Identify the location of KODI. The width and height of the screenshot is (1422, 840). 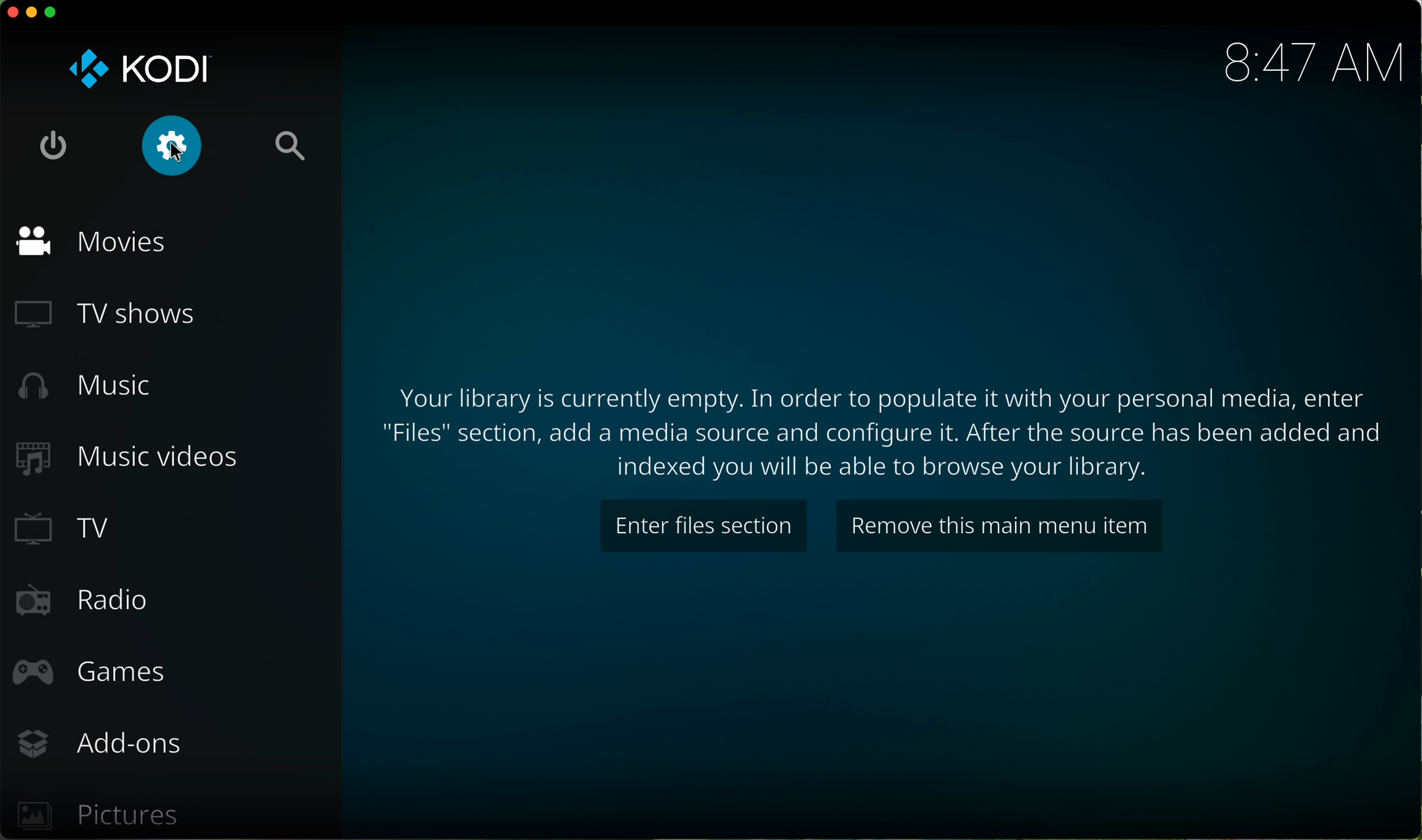
(136, 69).